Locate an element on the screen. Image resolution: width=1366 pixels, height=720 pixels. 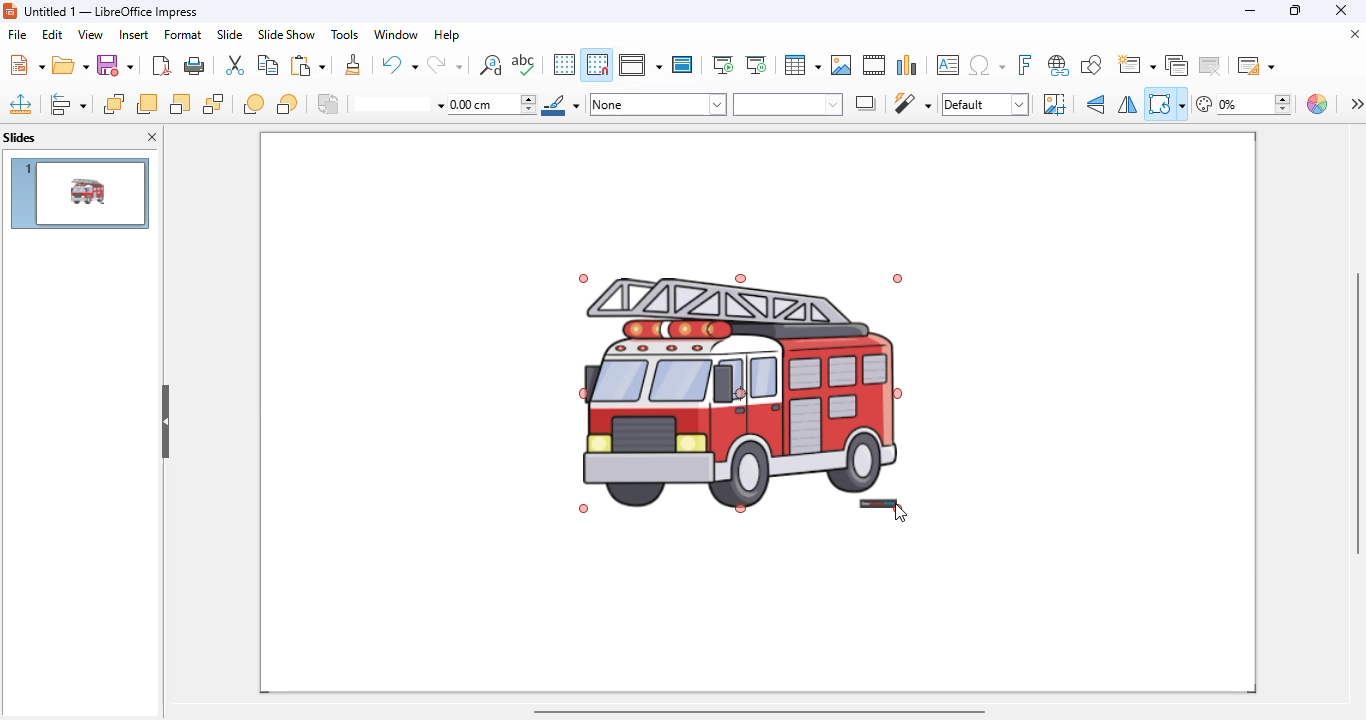
bring forward is located at coordinates (146, 104).